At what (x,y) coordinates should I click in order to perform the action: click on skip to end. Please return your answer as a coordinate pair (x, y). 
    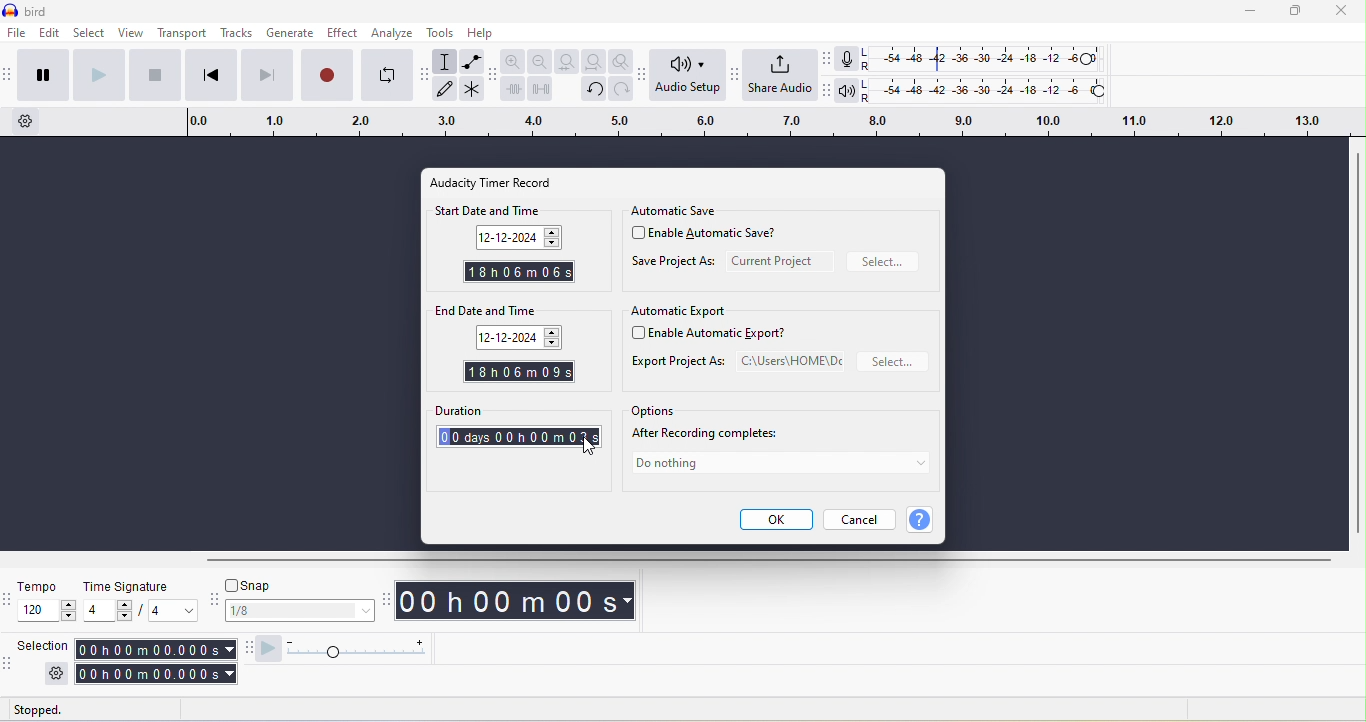
    Looking at the image, I should click on (266, 75).